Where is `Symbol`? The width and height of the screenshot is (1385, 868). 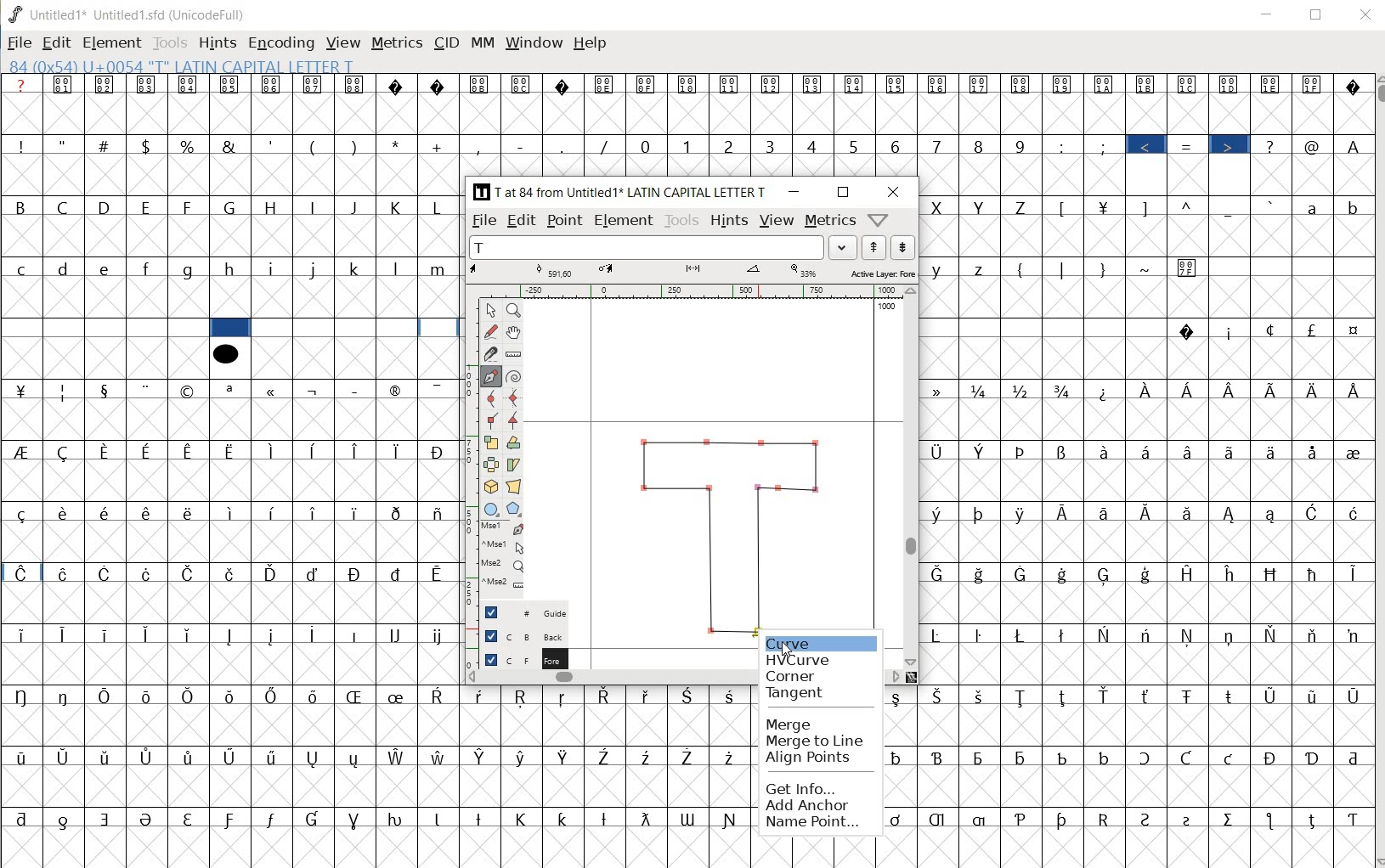 Symbol is located at coordinates (1314, 573).